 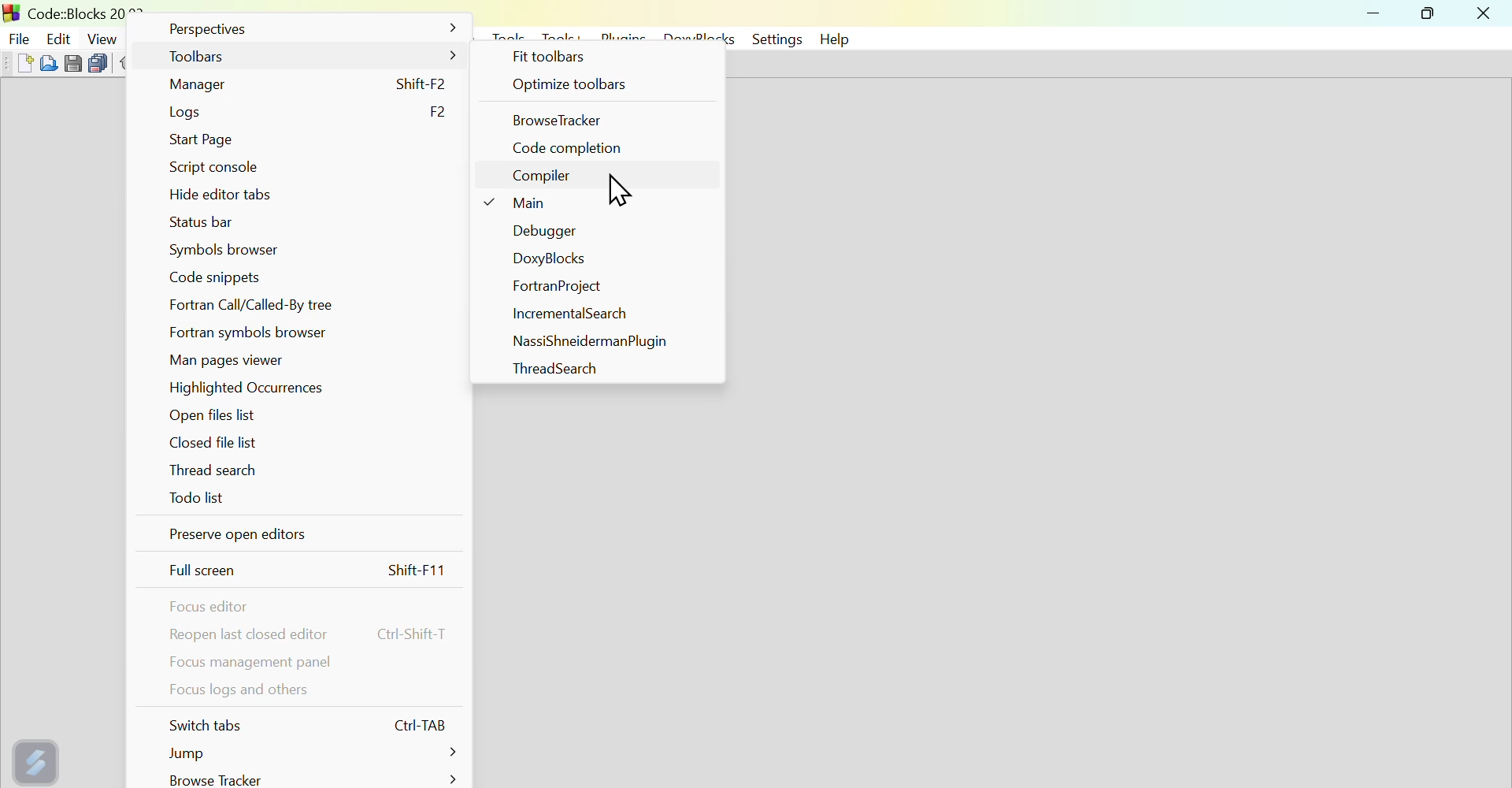 What do you see at coordinates (209, 137) in the screenshot?
I see `Start page` at bounding box center [209, 137].